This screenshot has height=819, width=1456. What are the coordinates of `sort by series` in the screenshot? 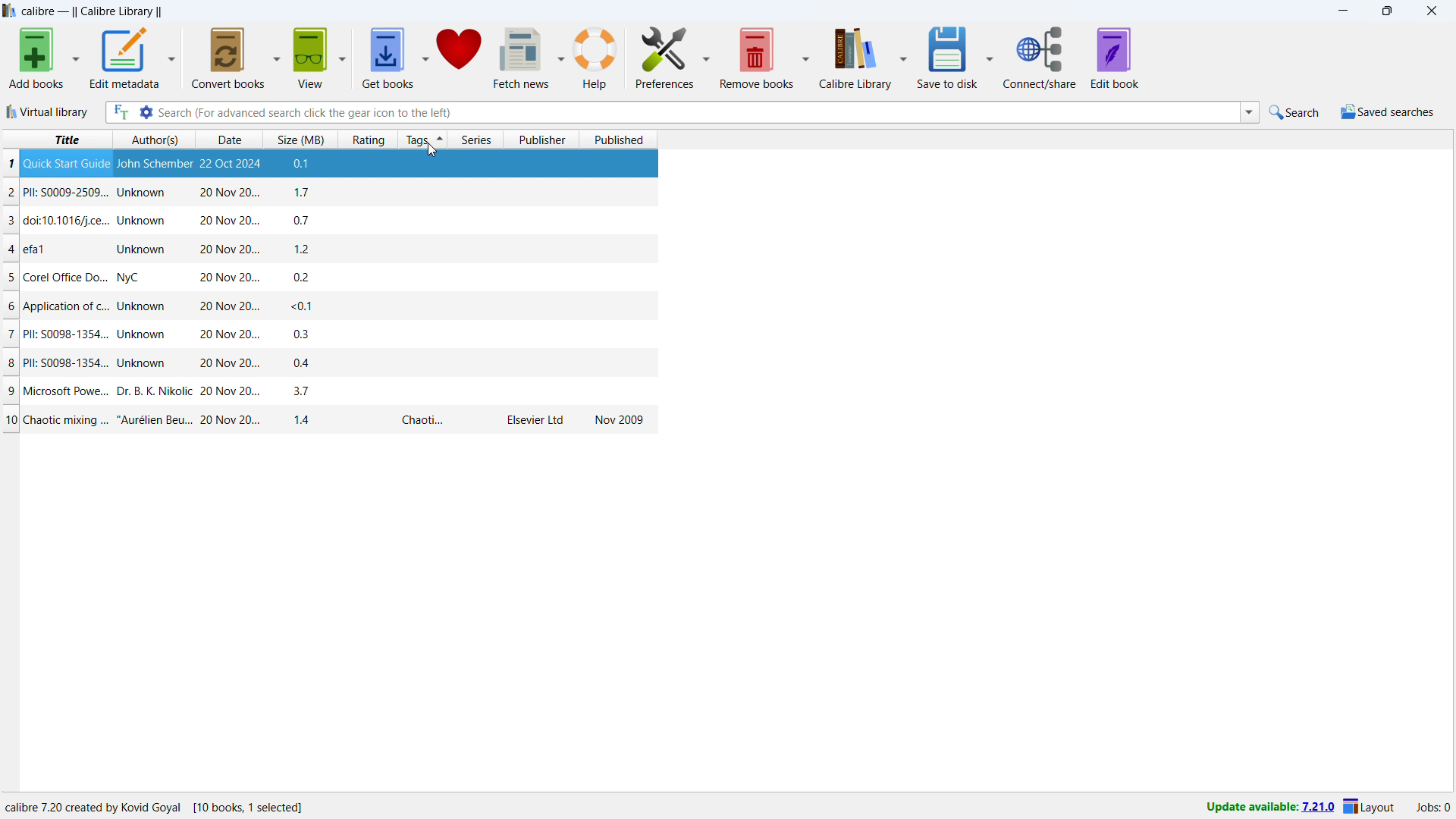 It's located at (475, 139).